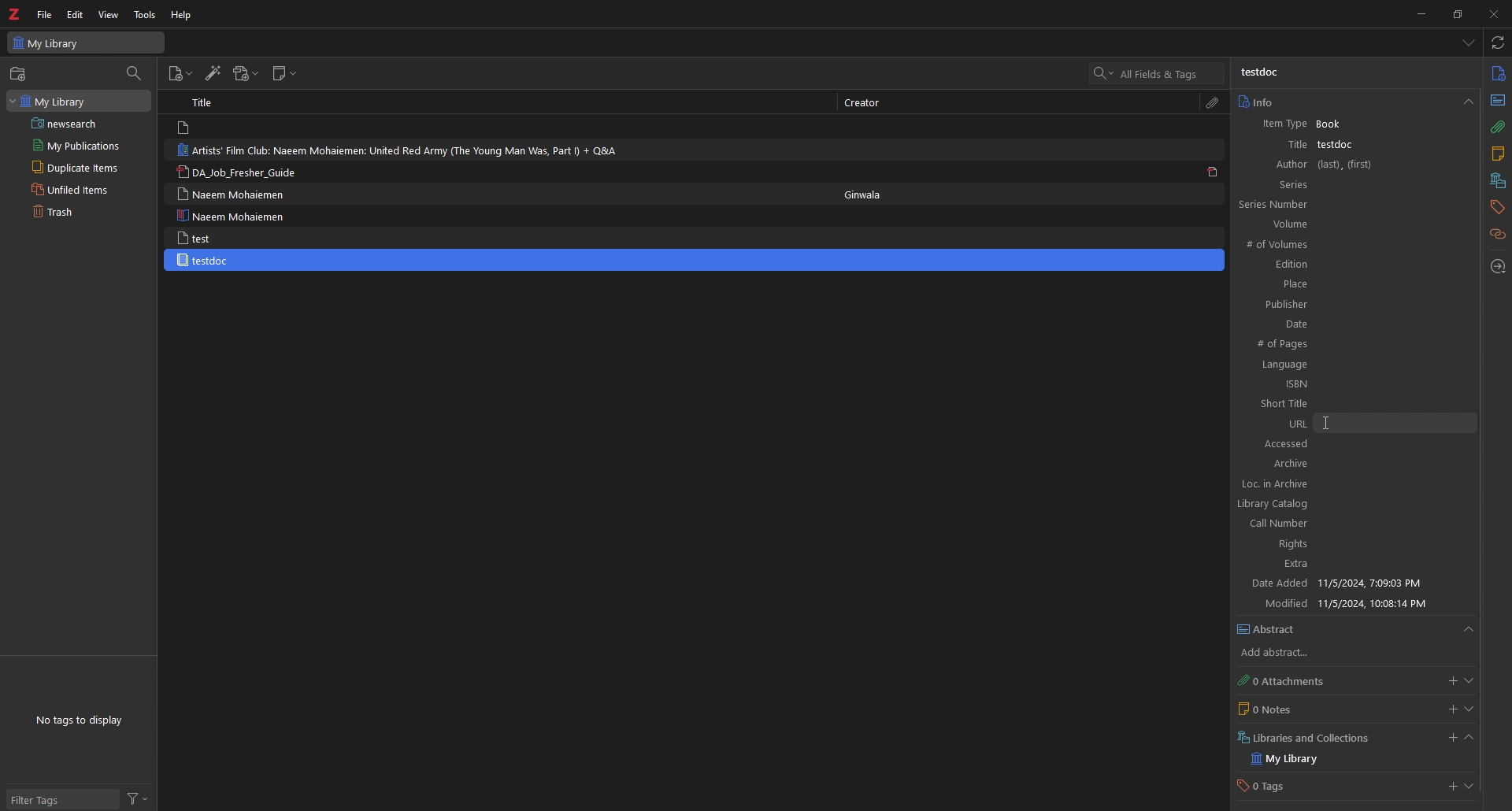 Image resolution: width=1512 pixels, height=811 pixels. Describe the element at coordinates (1322, 165) in the screenshot. I see `Author (last),(first)` at that location.